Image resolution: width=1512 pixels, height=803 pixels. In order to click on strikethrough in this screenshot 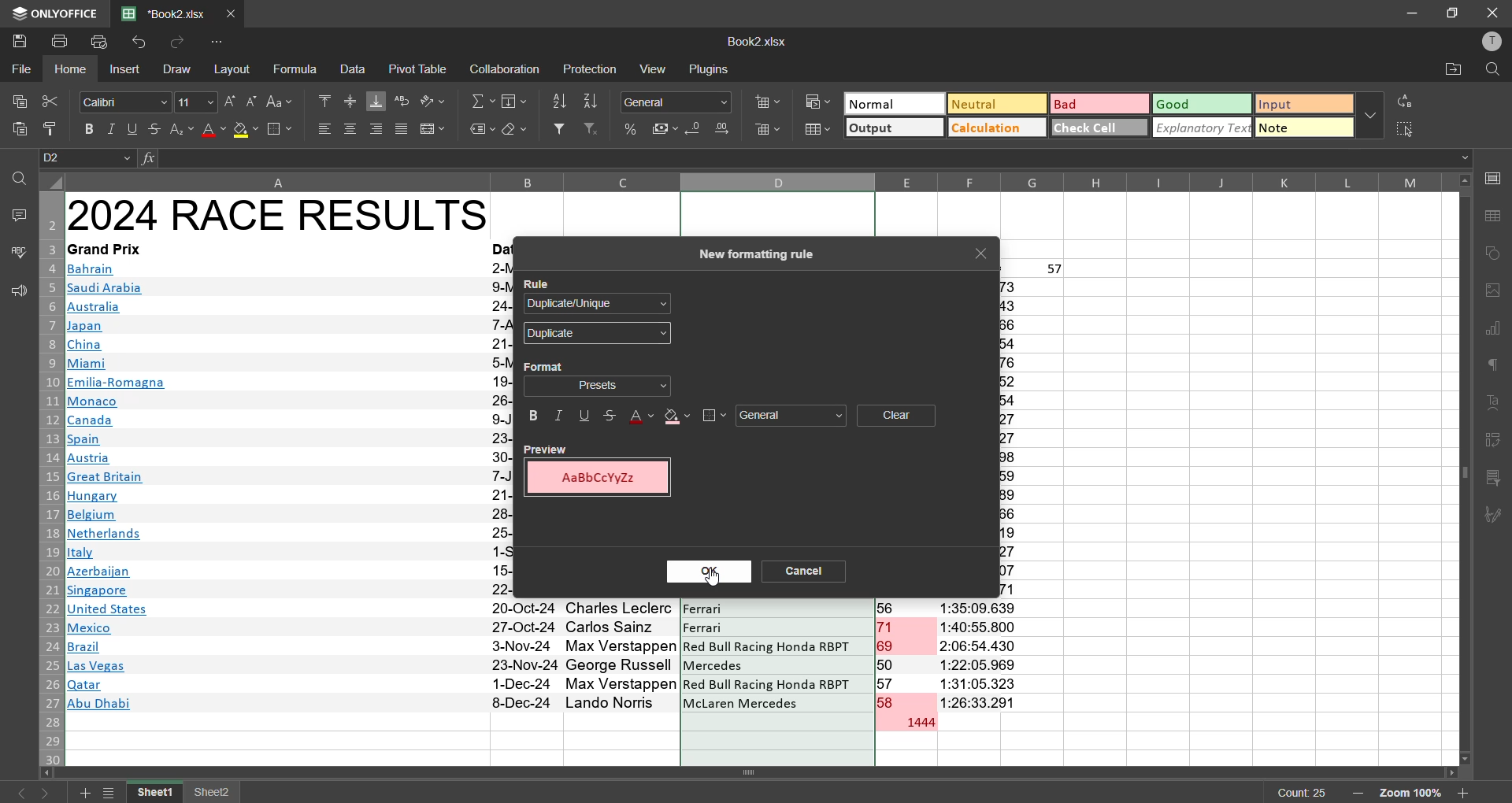, I will do `click(609, 416)`.